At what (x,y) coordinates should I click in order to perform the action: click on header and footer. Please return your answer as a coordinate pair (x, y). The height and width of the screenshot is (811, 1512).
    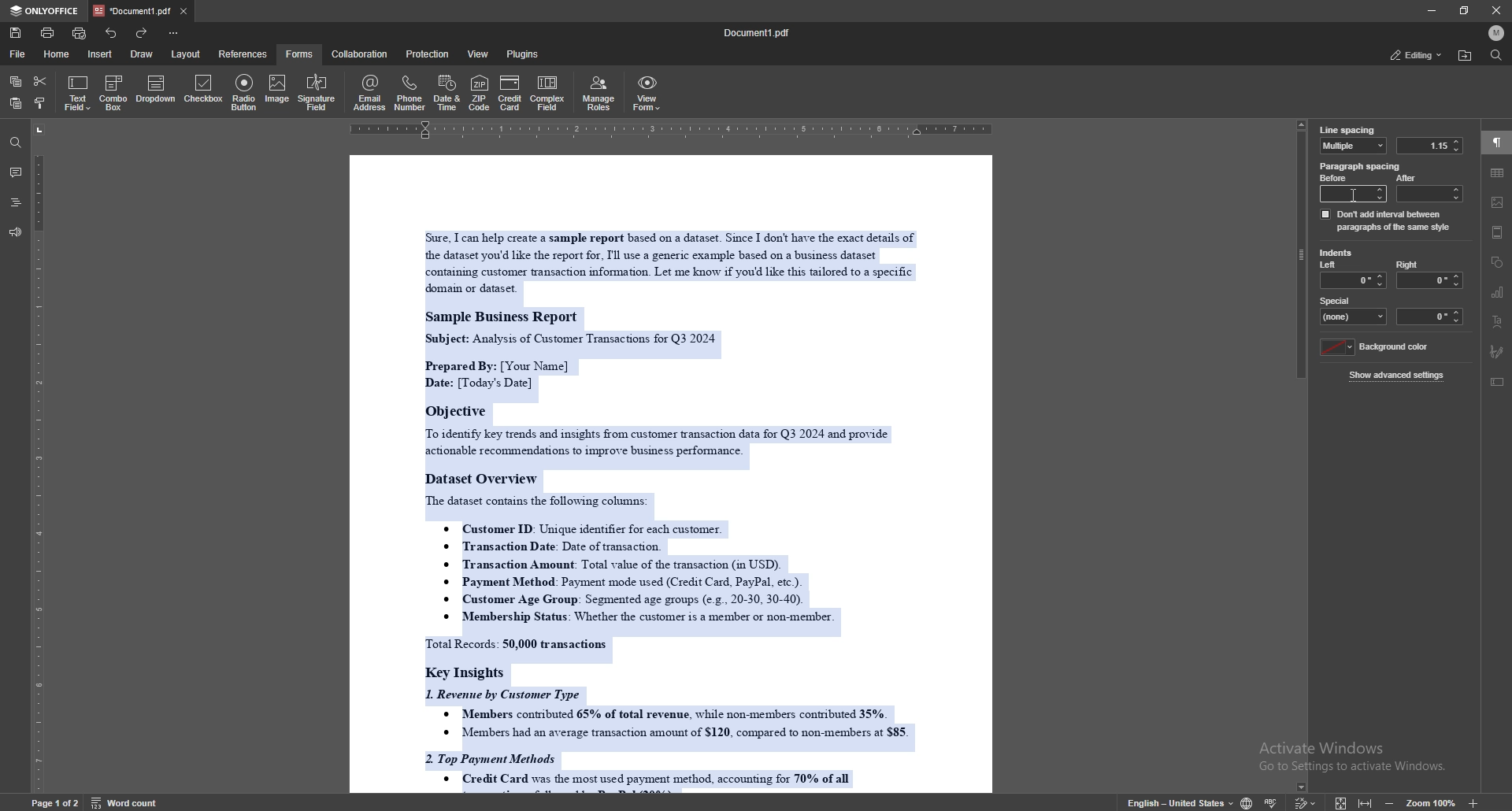
    Looking at the image, I should click on (1498, 232).